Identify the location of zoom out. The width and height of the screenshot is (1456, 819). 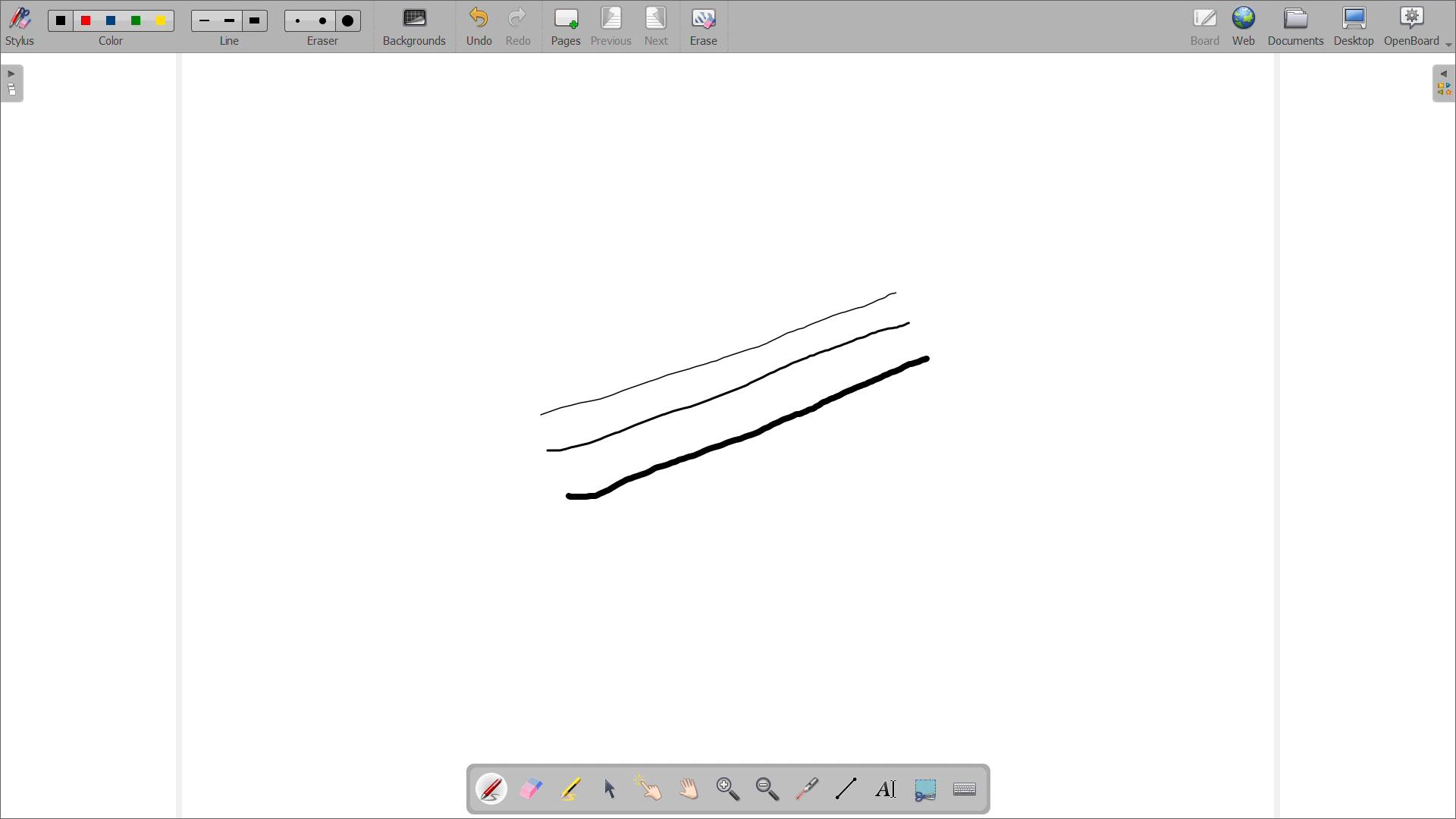
(768, 789).